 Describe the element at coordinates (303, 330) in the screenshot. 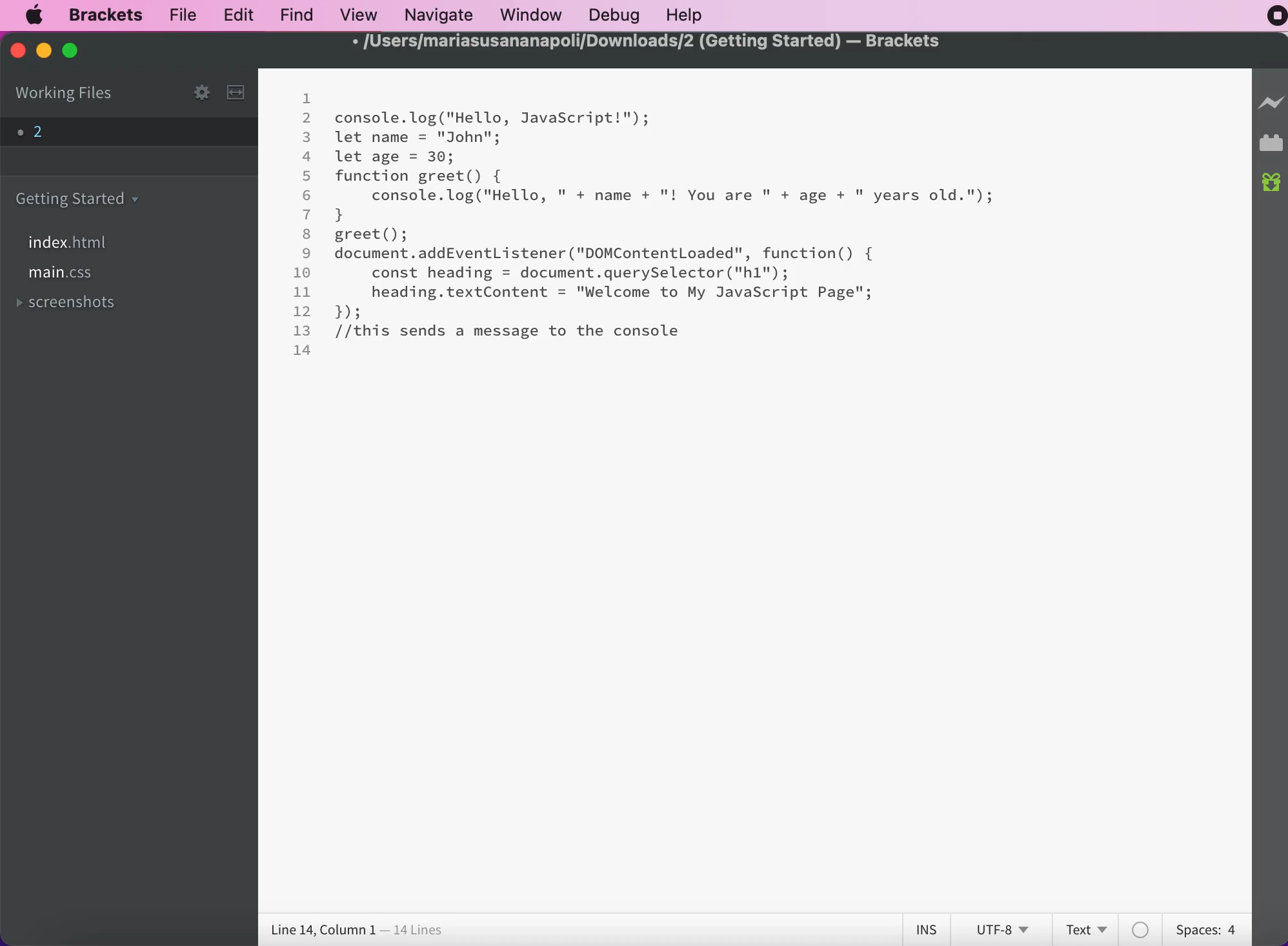

I see `13` at that location.